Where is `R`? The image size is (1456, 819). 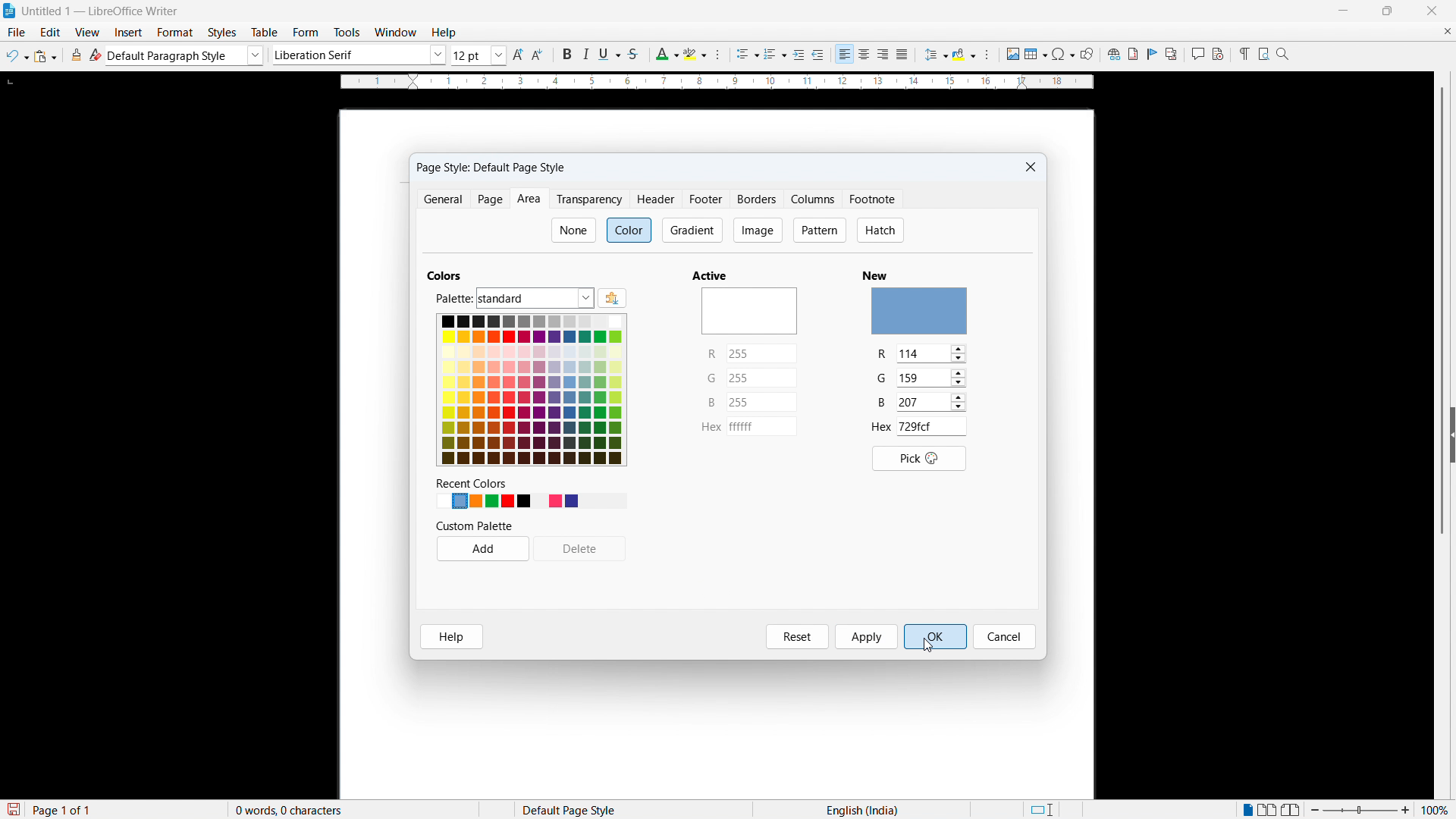 R is located at coordinates (713, 353).